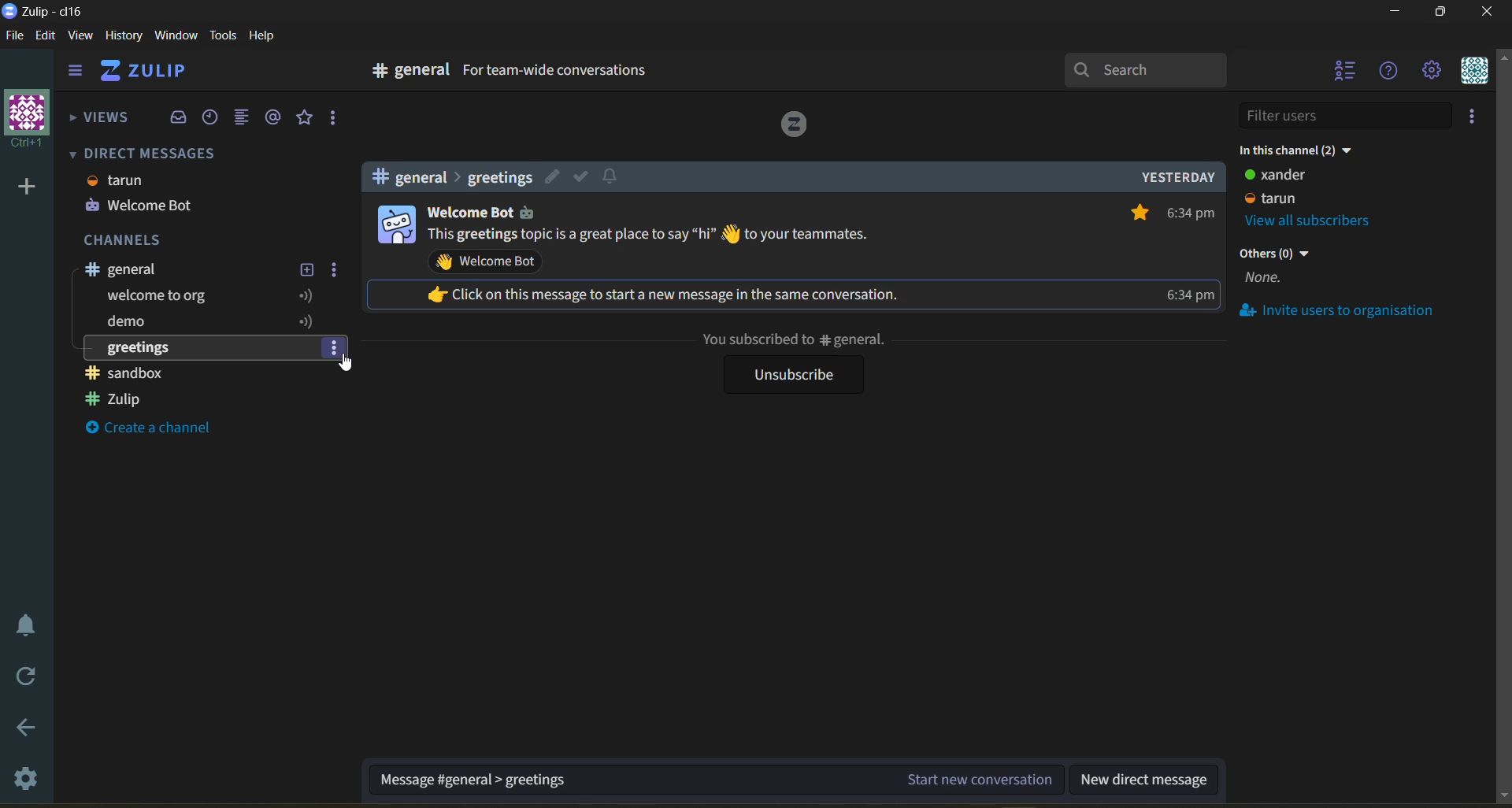  Describe the element at coordinates (149, 153) in the screenshot. I see `direct messages` at that location.